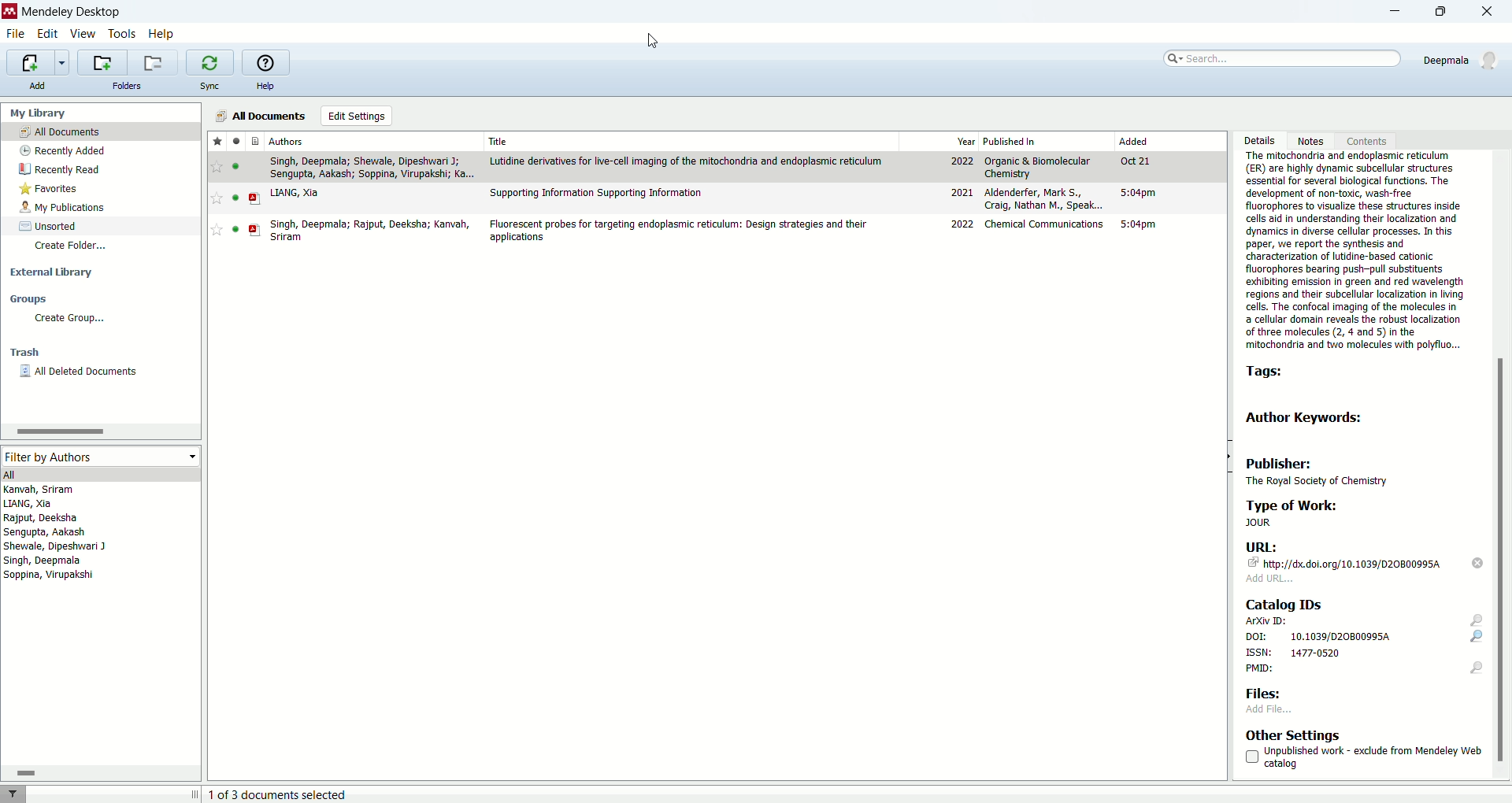  Describe the element at coordinates (36, 113) in the screenshot. I see `my library` at that location.